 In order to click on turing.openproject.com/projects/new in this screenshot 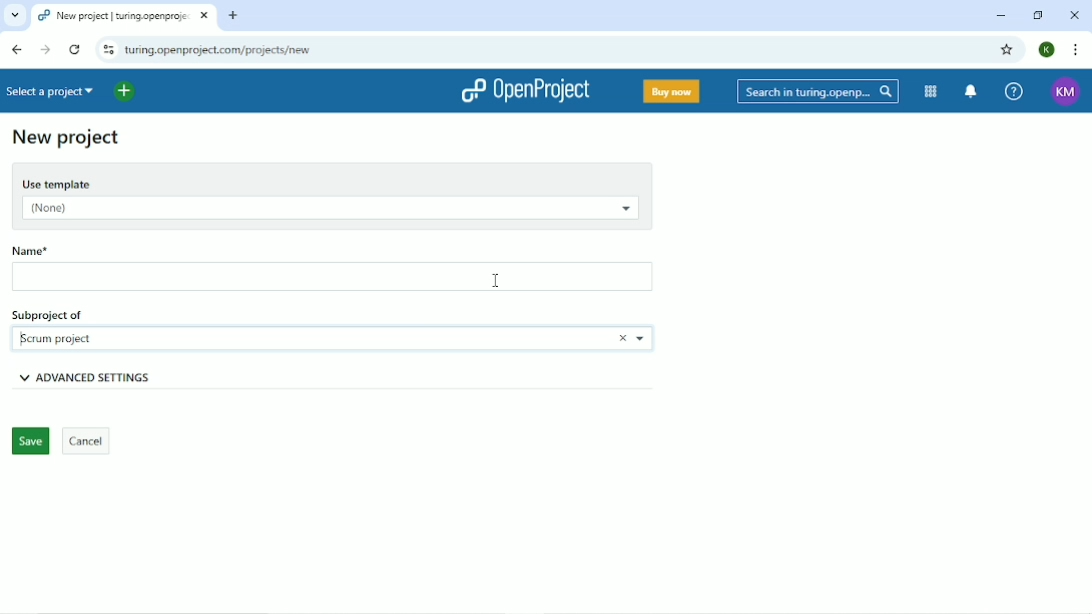, I will do `click(248, 49)`.